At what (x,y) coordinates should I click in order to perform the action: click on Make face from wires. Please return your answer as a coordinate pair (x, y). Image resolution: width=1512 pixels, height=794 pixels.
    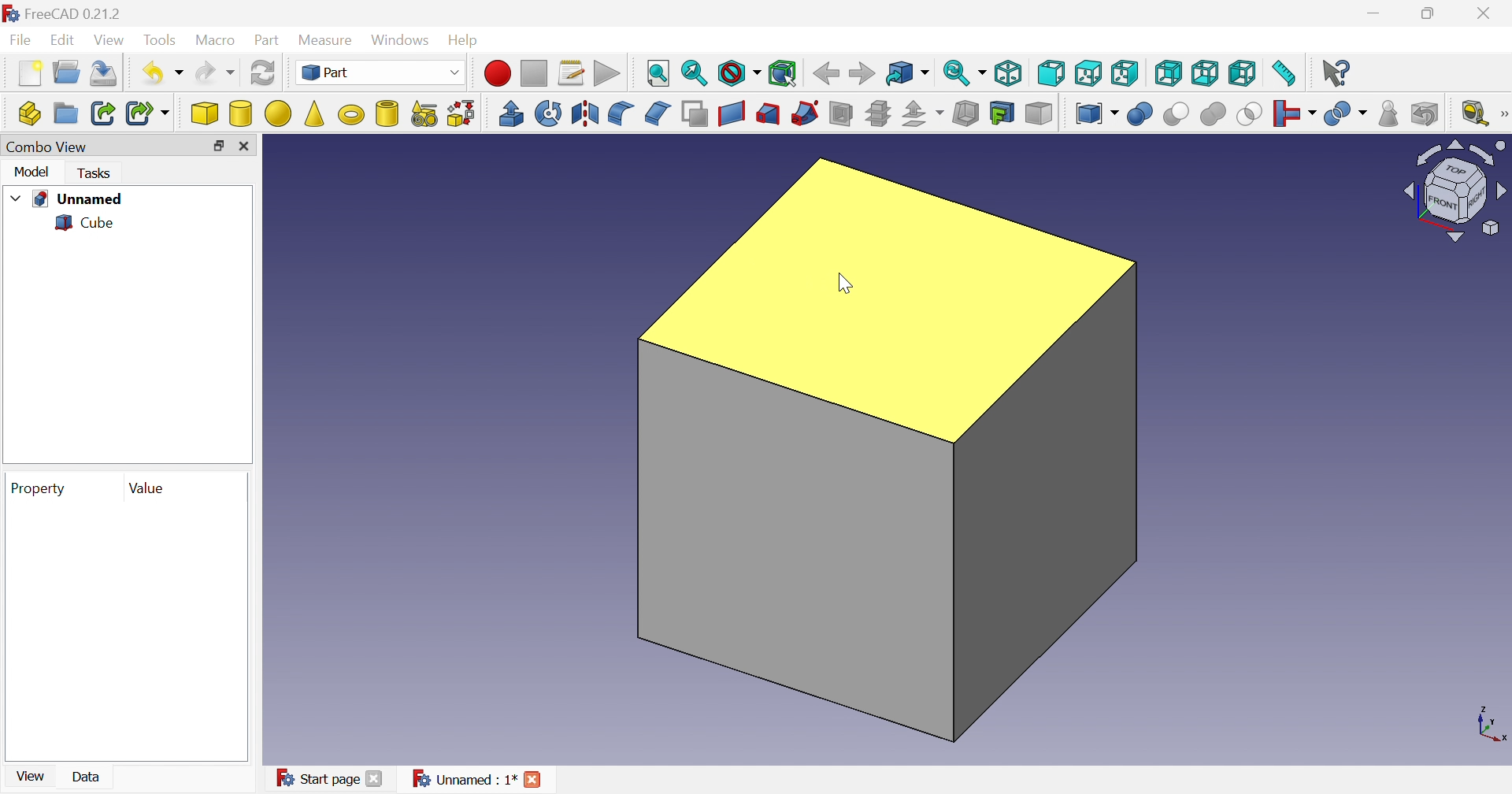
    Looking at the image, I should click on (695, 114).